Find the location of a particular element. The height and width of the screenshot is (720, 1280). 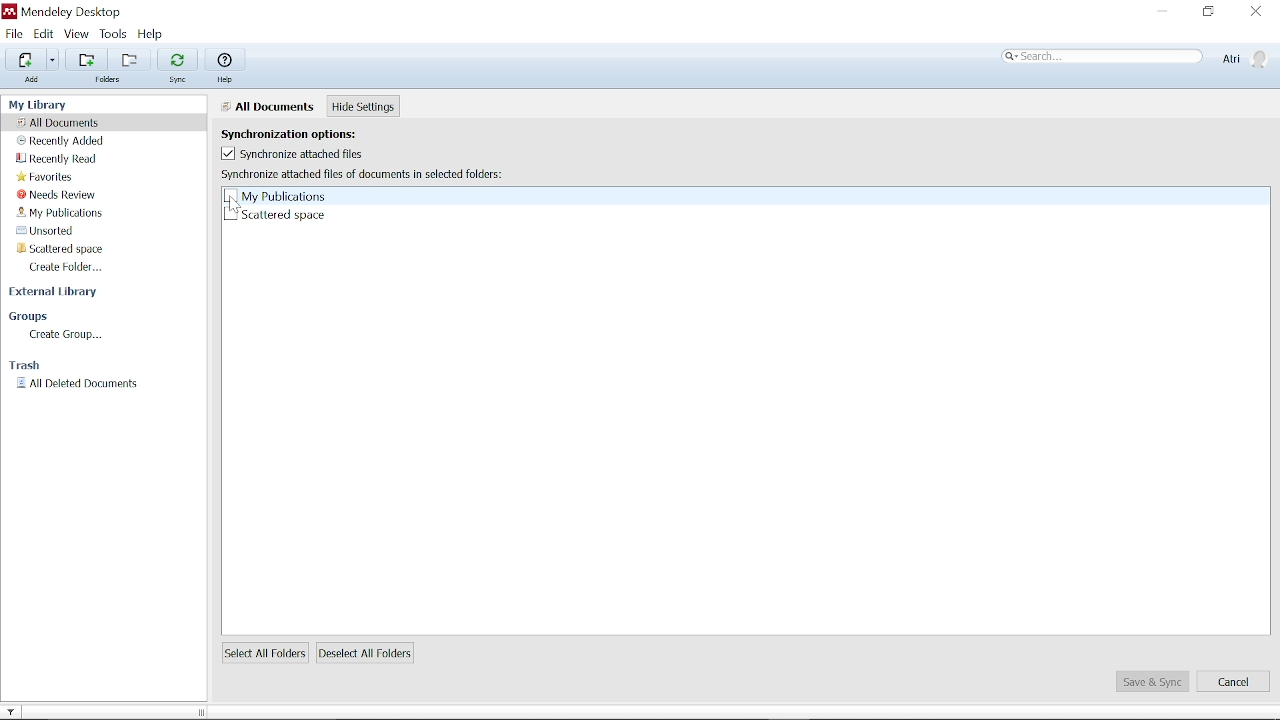

Mendeley desktop is located at coordinates (68, 12).